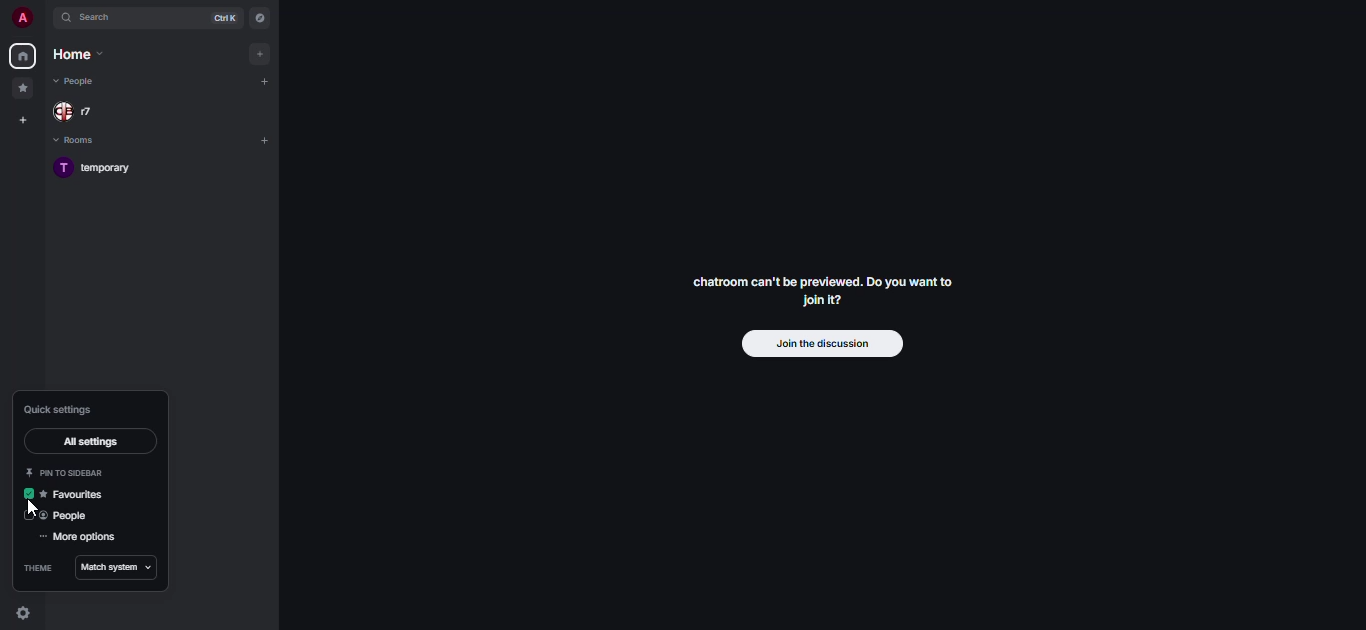 This screenshot has height=630, width=1366. I want to click on rooms, so click(85, 140).